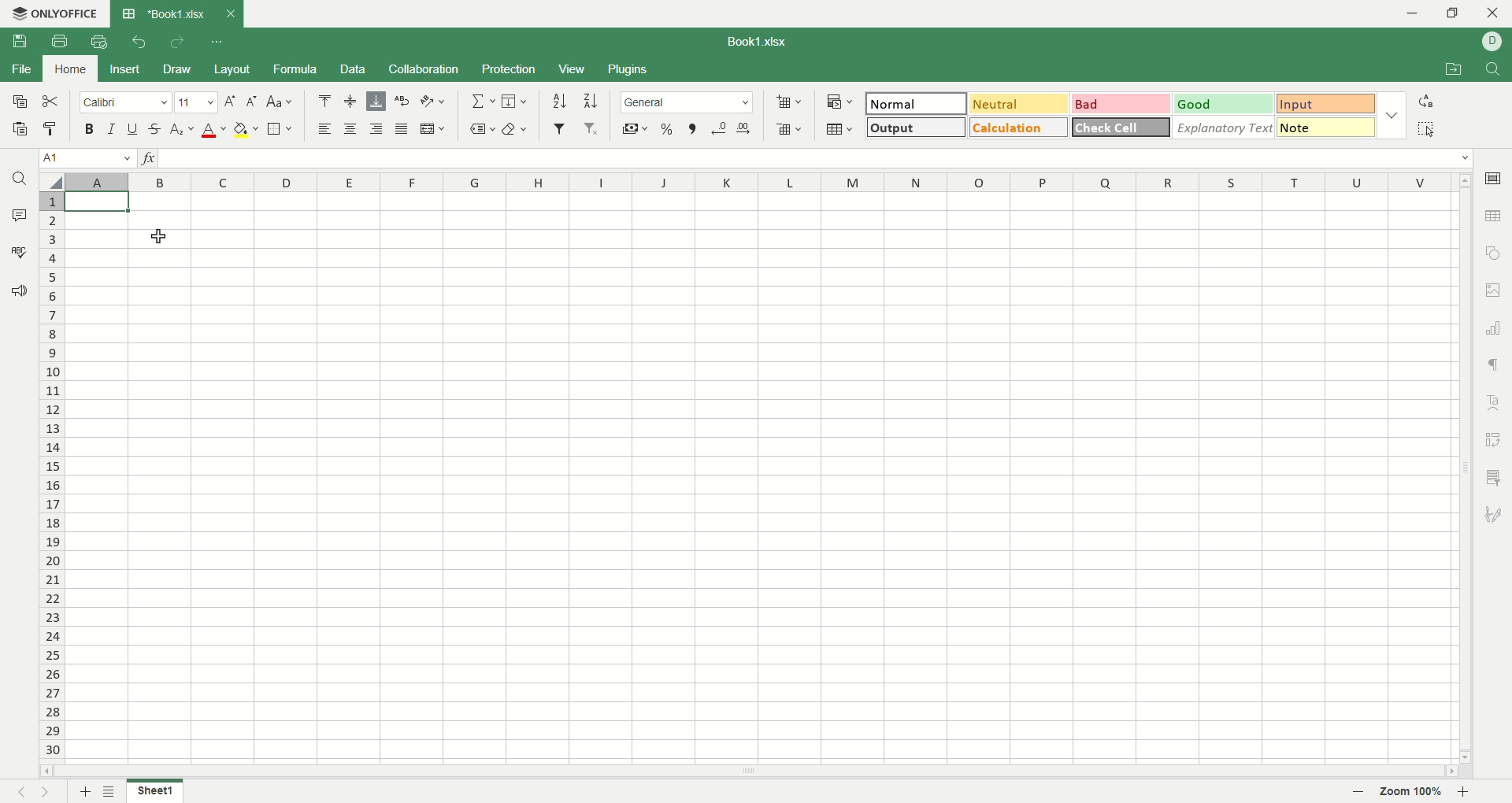  What do you see at coordinates (399, 128) in the screenshot?
I see `justified` at bounding box center [399, 128].